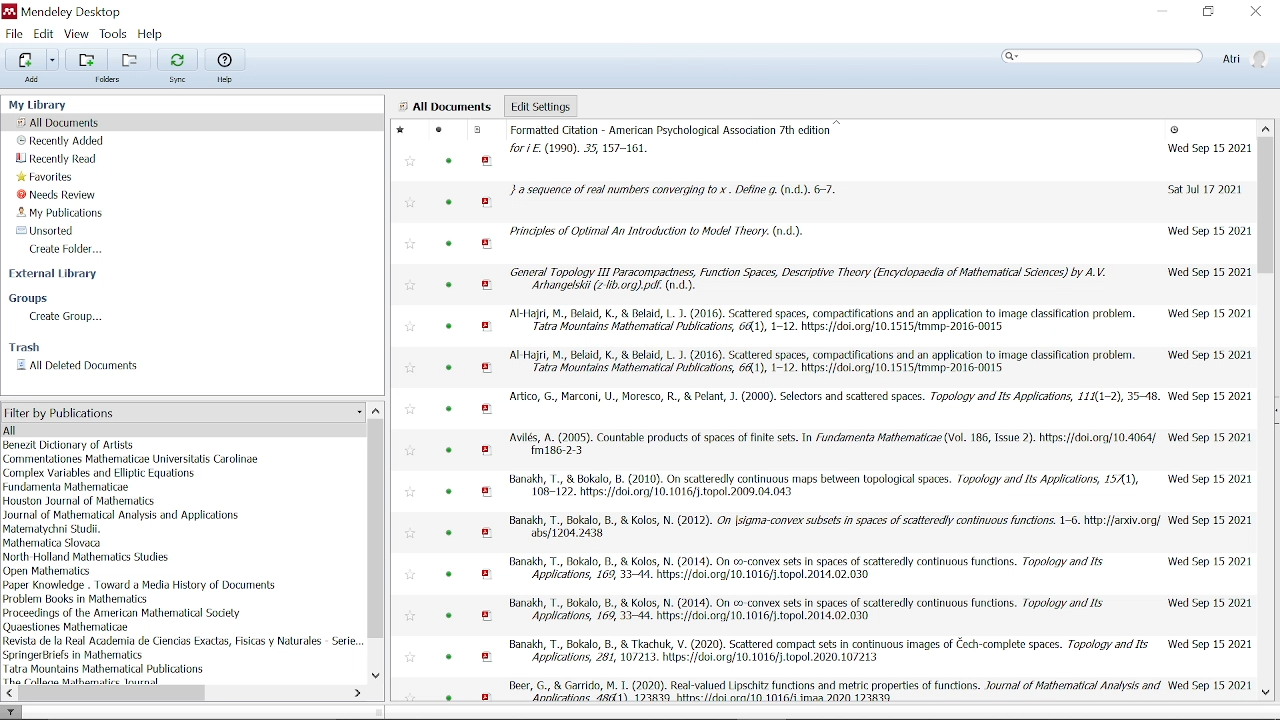 The height and width of the screenshot is (720, 1280). What do you see at coordinates (122, 613) in the screenshot?
I see `author` at bounding box center [122, 613].